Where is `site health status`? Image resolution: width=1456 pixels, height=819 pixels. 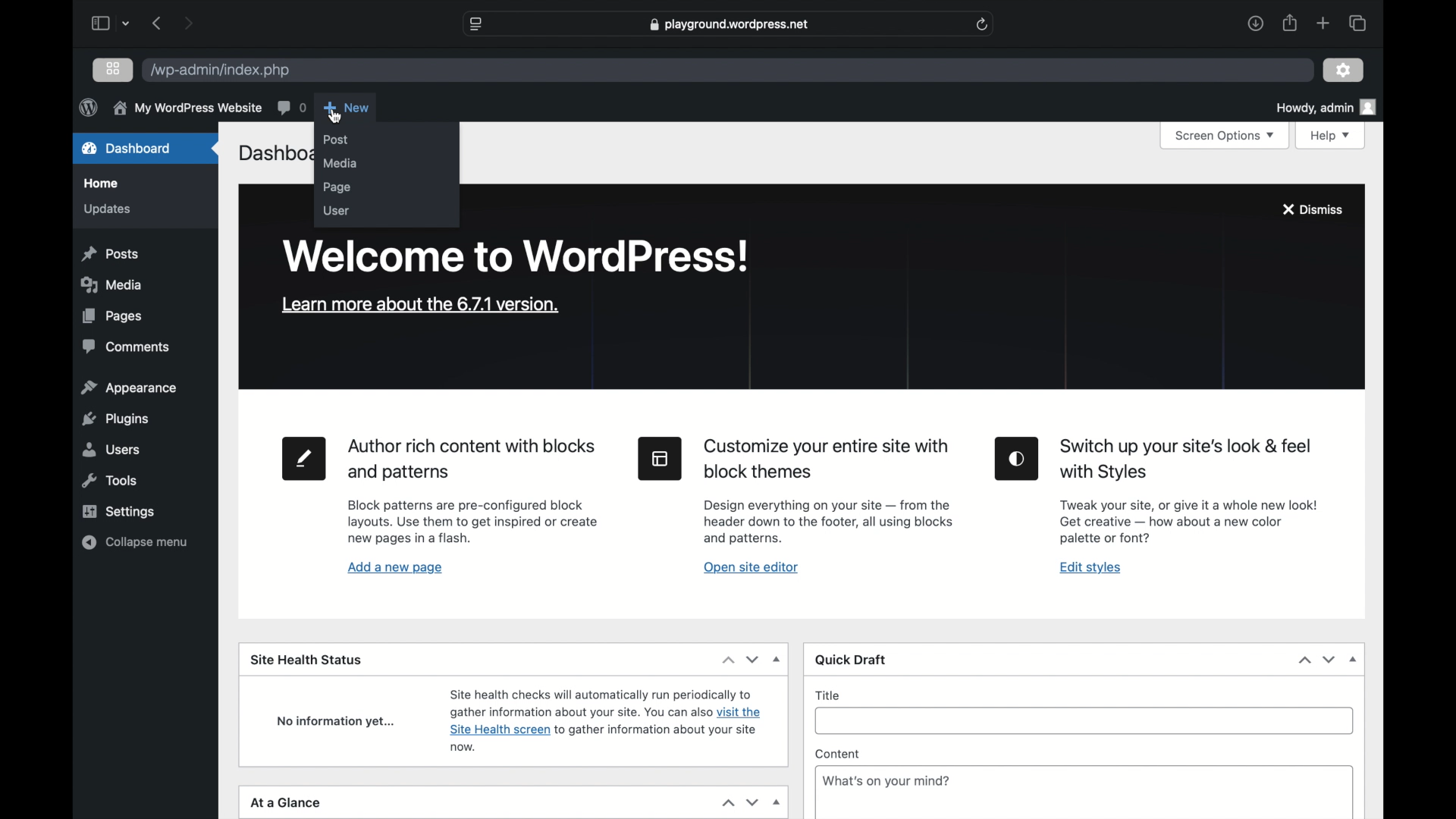 site health status is located at coordinates (306, 661).